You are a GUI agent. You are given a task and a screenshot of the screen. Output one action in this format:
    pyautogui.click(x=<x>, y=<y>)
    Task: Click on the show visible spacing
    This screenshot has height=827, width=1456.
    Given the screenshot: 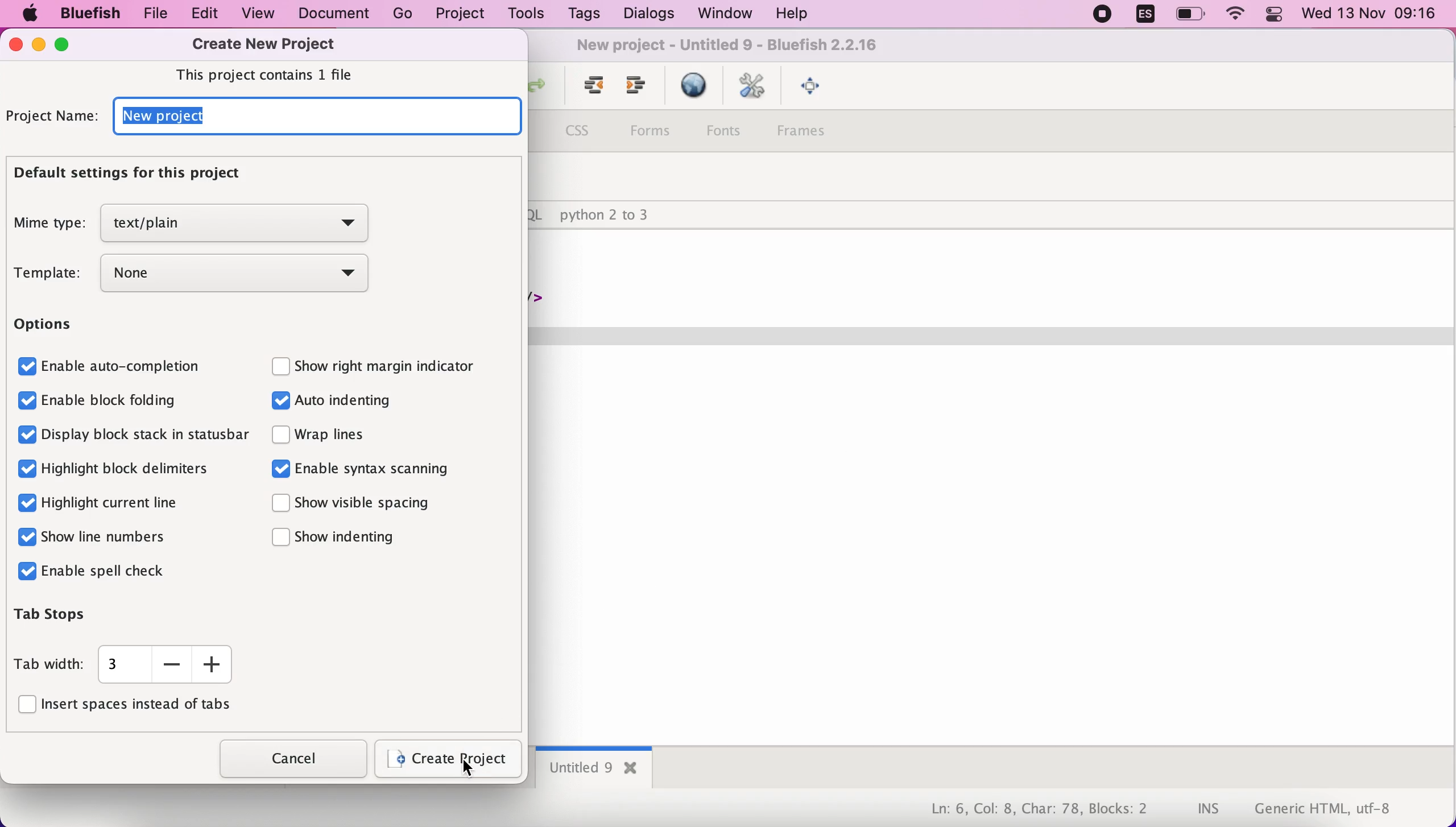 What is the action you would take?
    pyautogui.click(x=367, y=504)
    